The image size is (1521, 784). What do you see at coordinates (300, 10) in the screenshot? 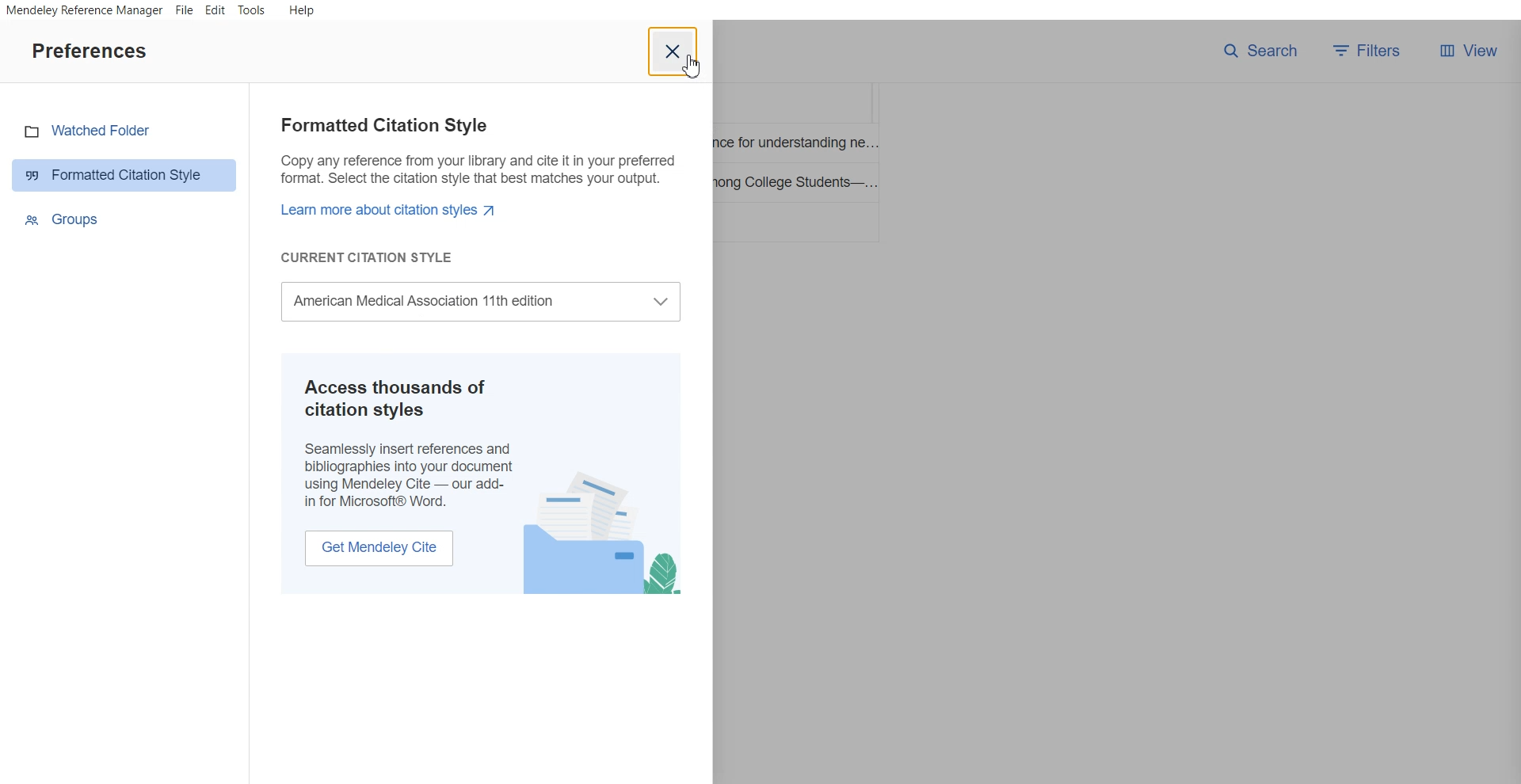
I see `Help` at bounding box center [300, 10].